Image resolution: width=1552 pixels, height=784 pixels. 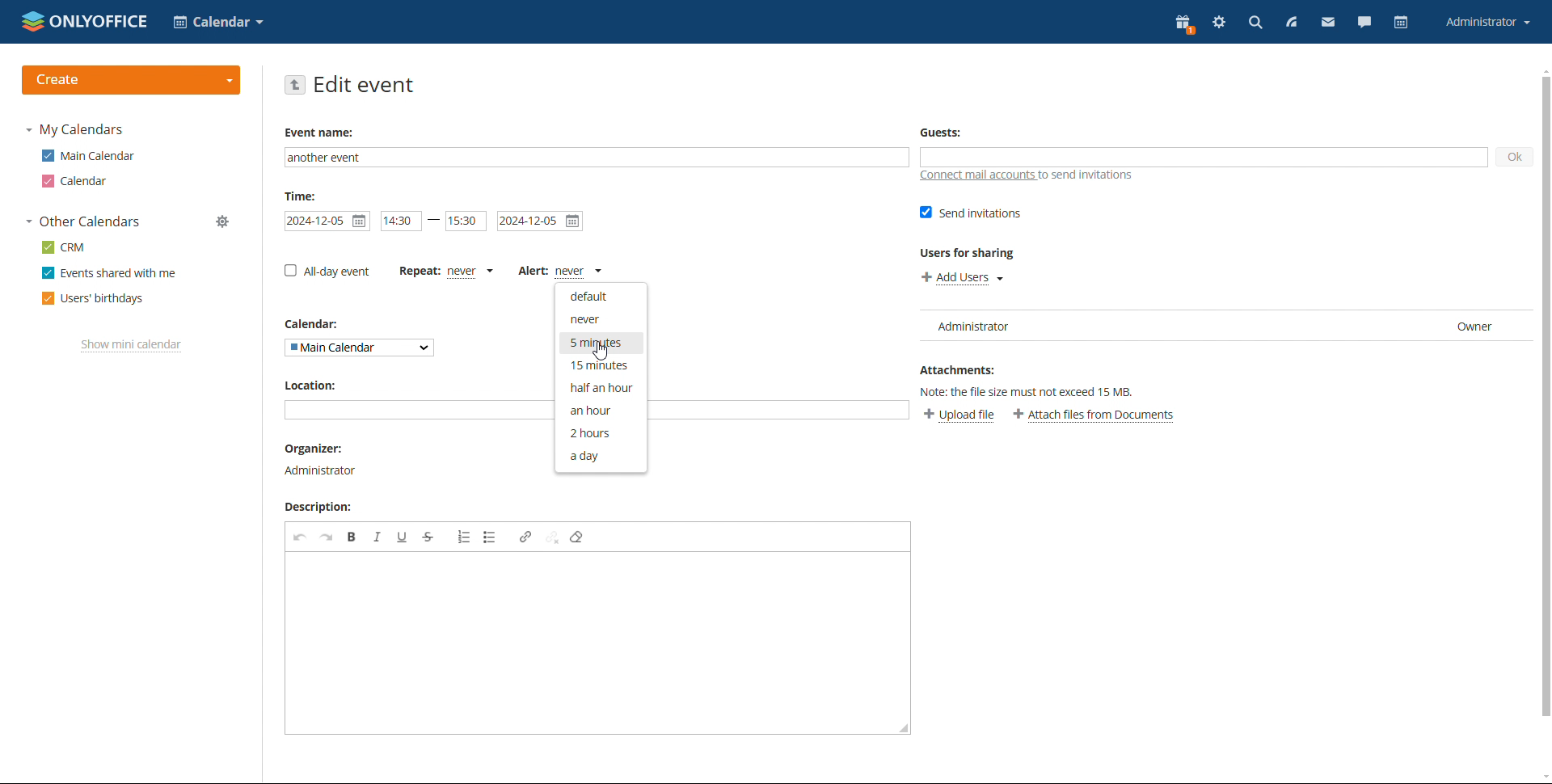 What do you see at coordinates (109, 273) in the screenshot?
I see `events shared with me` at bounding box center [109, 273].